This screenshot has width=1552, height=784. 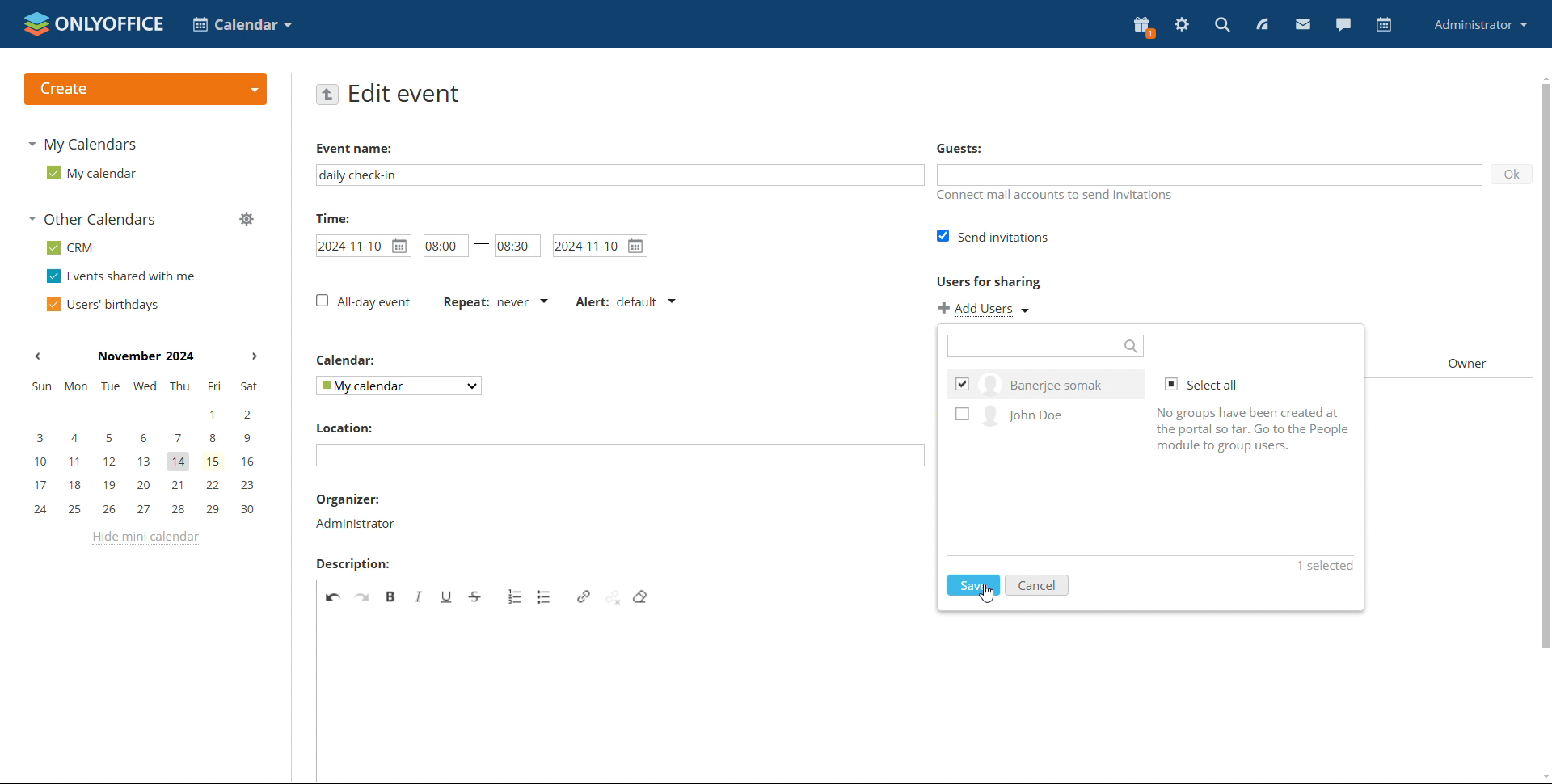 I want to click on calendar:, so click(x=349, y=361).